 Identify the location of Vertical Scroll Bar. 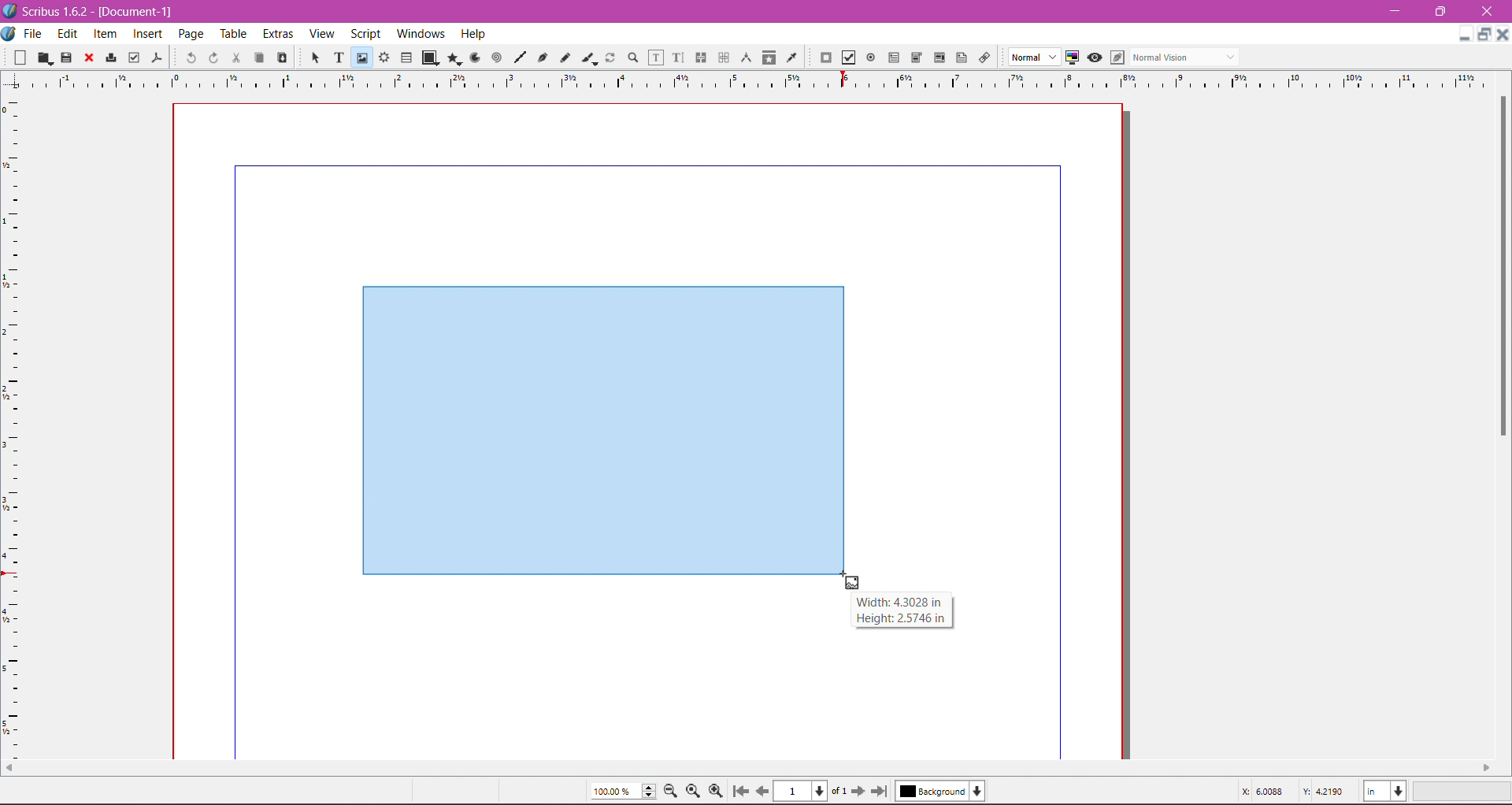
(1499, 265).